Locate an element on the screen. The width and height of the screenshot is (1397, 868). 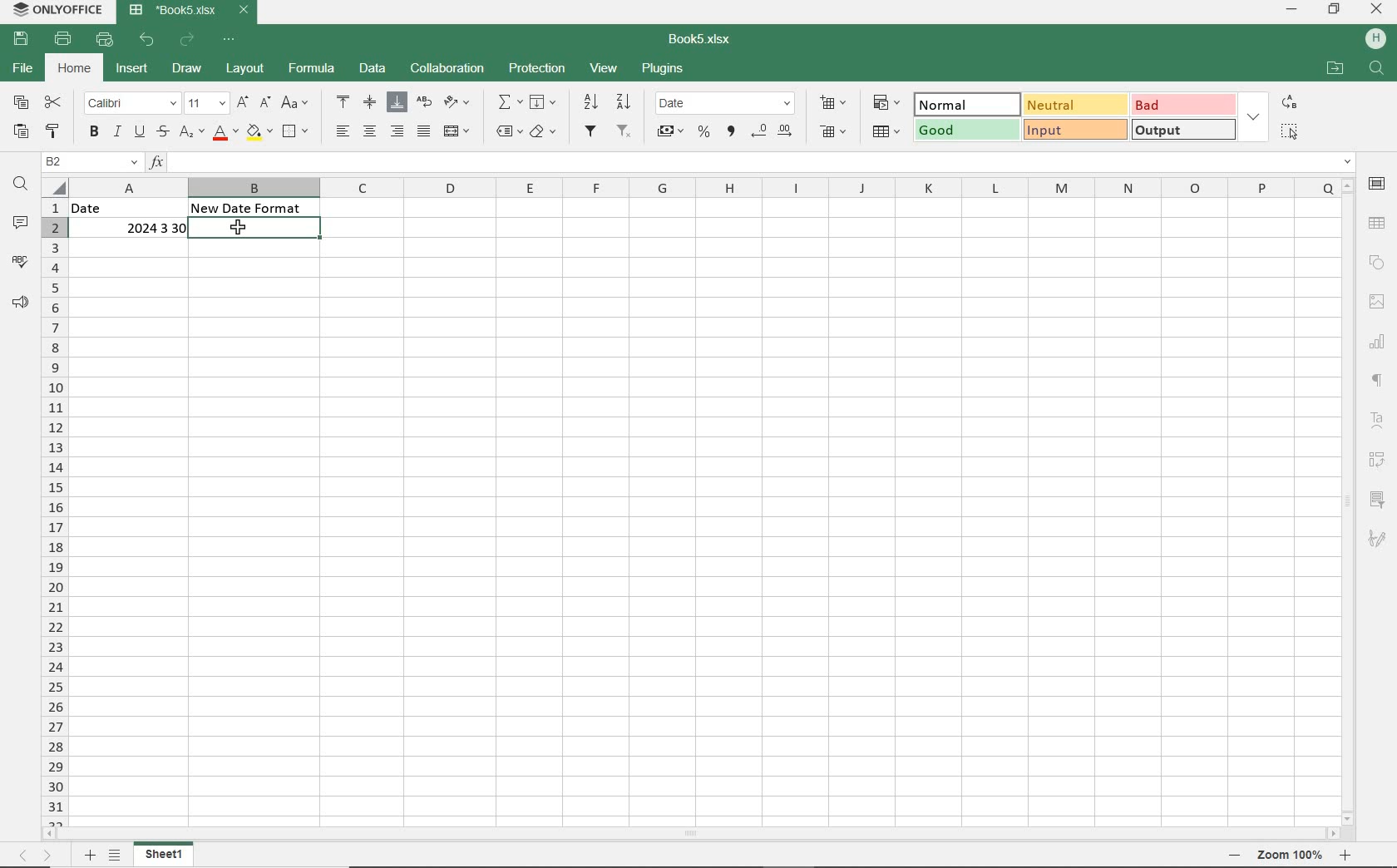
CUSTOMIZE QUICK ACCESS TOOLBAR is located at coordinates (230, 41).